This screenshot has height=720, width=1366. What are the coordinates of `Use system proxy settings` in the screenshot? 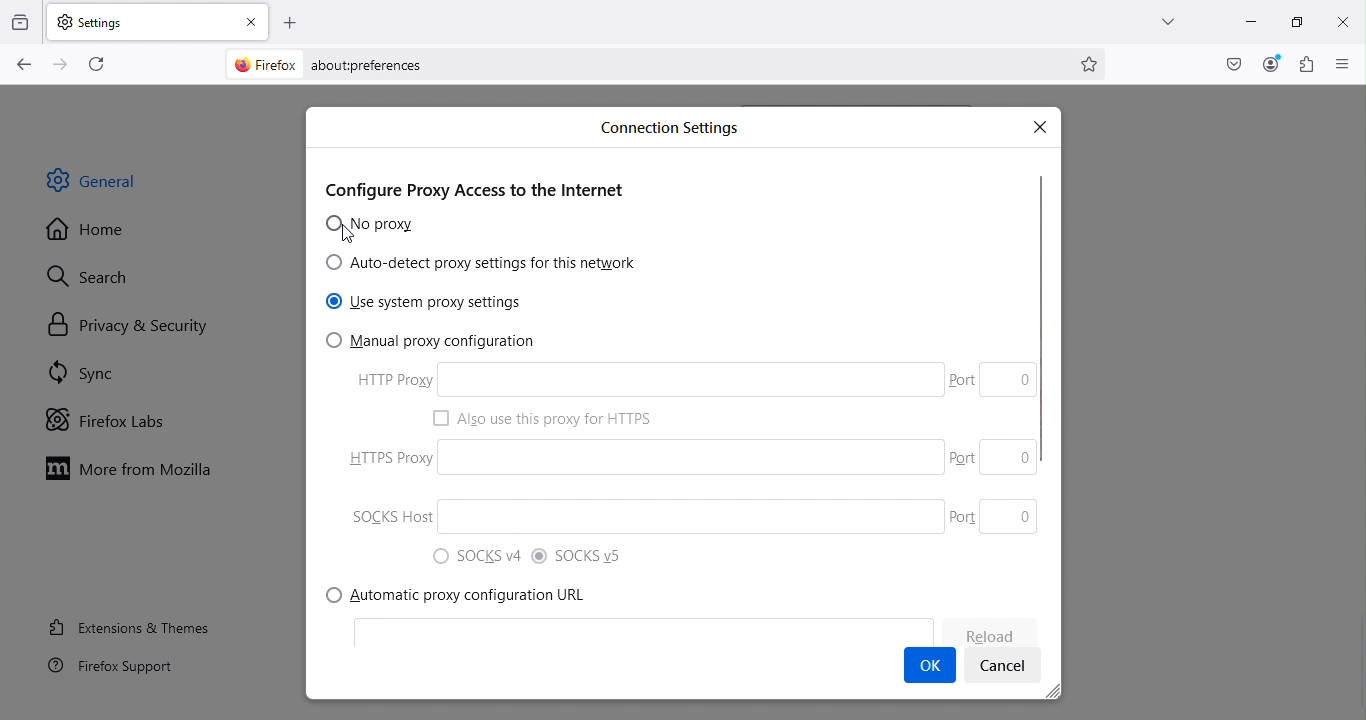 It's located at (428, 303).